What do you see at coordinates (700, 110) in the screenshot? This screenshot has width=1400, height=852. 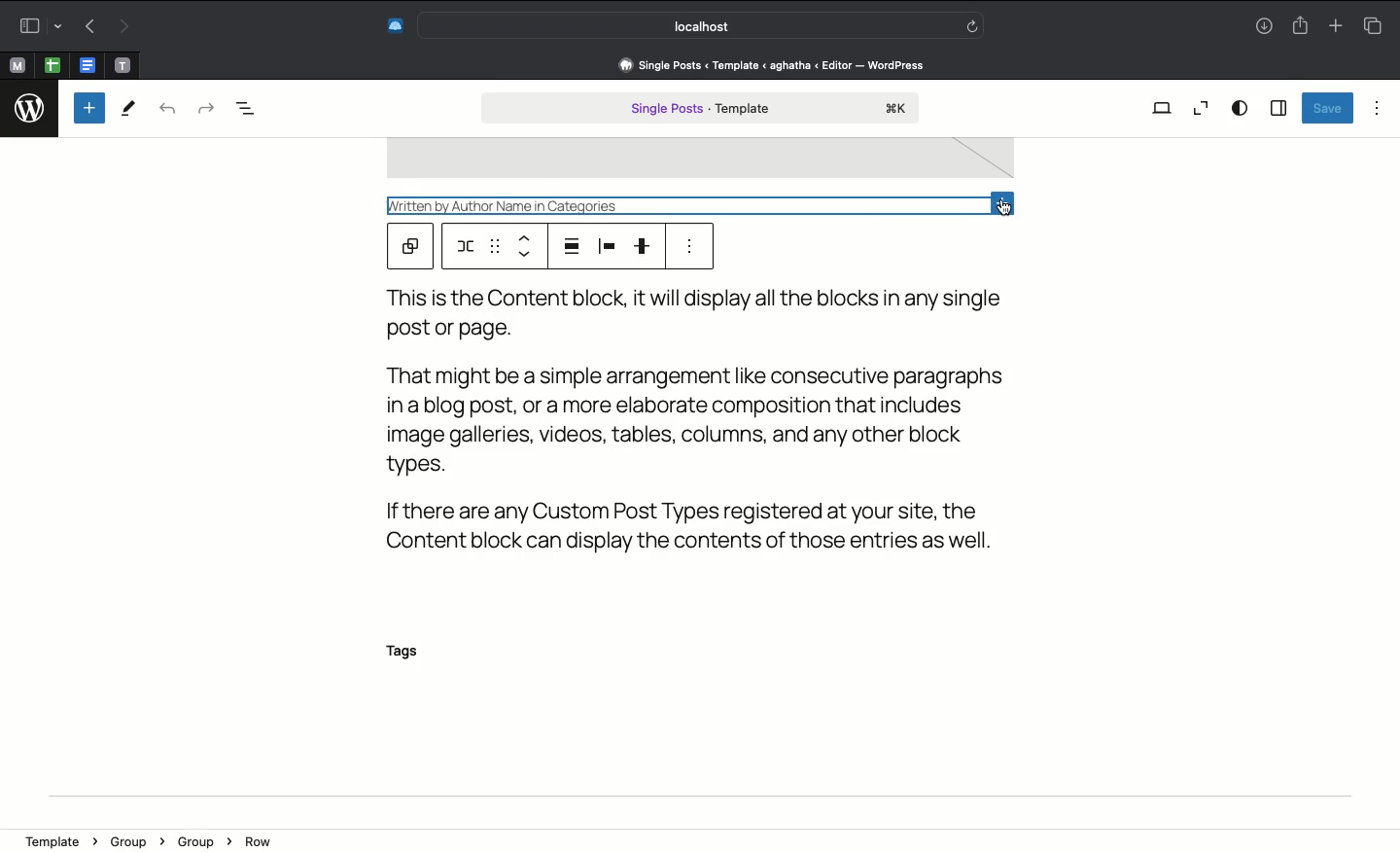 I see `Single post template` at bounding box center [700, 110].